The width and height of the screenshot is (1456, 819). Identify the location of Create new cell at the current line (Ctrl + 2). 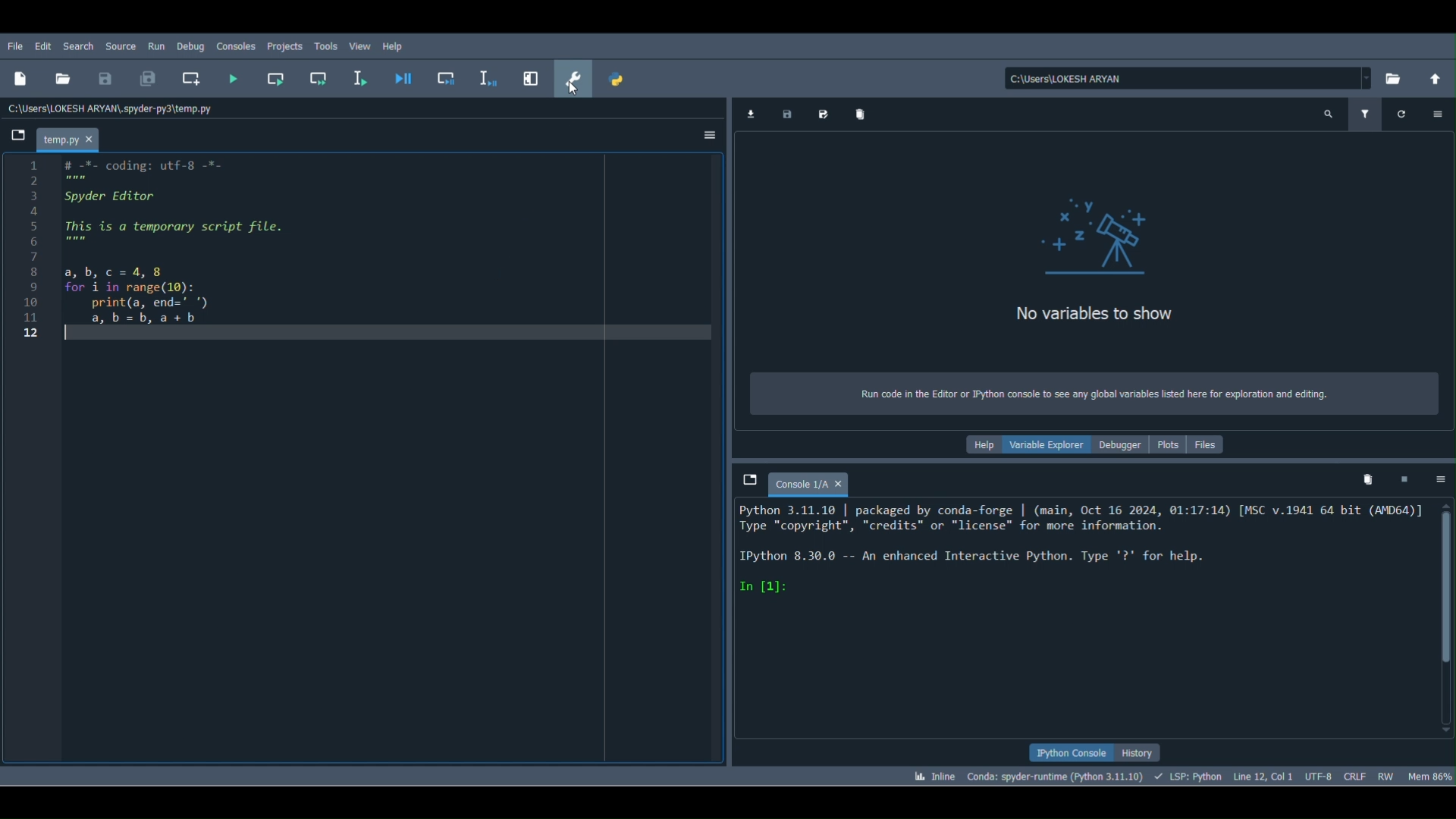
(191, 78).